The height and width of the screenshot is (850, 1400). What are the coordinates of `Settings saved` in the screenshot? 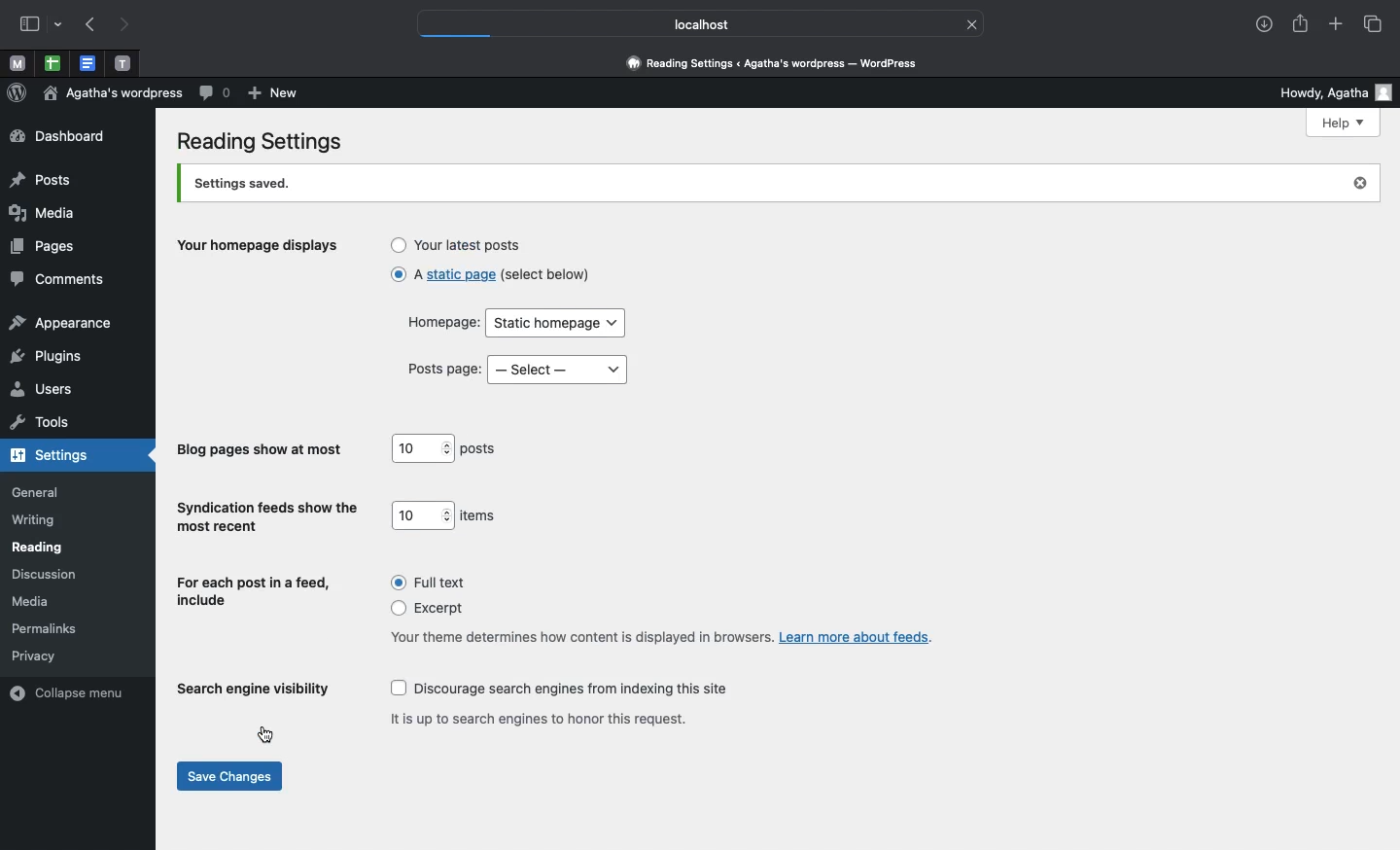 It's located at (760, 184).